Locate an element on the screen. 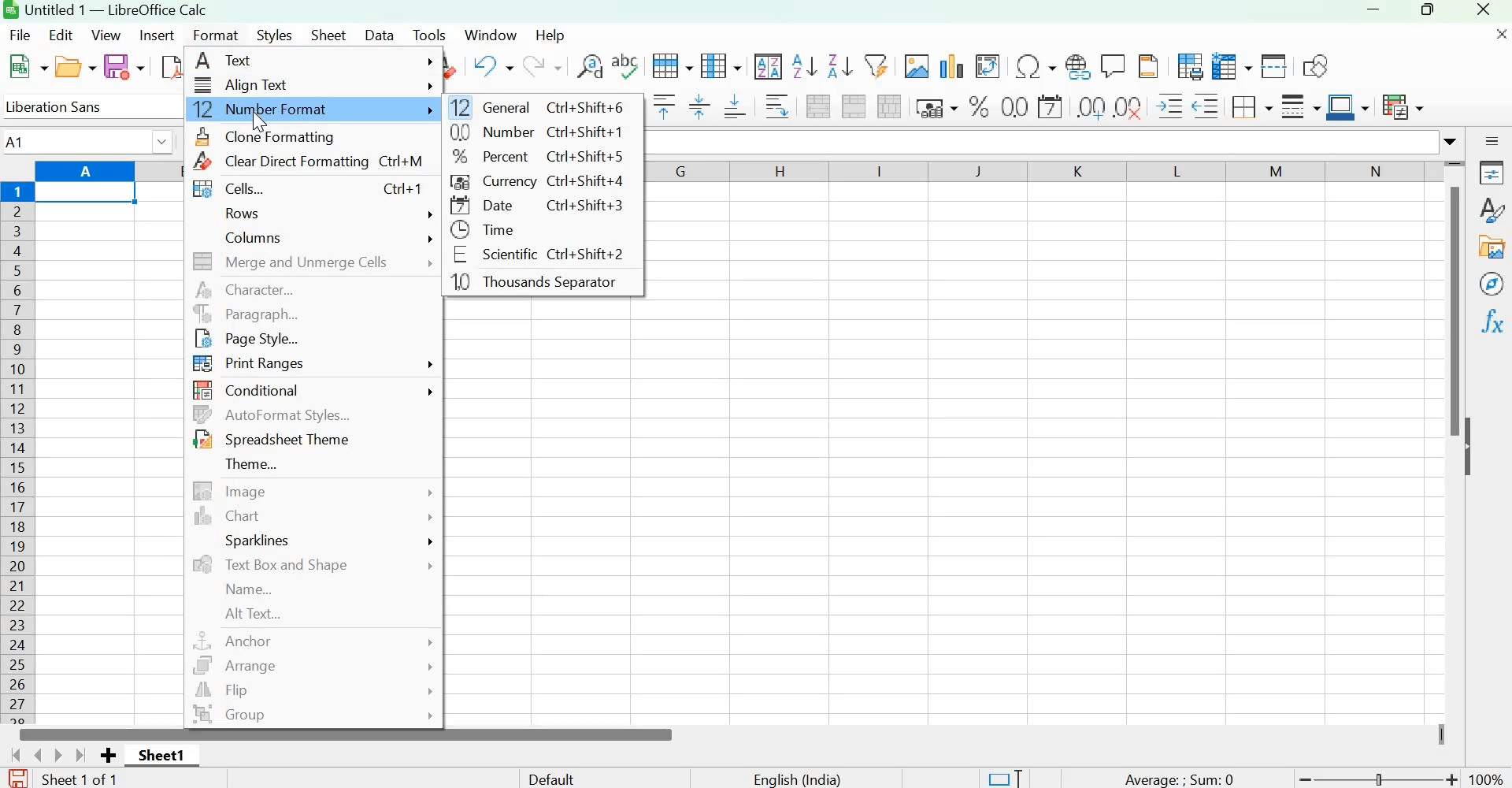 This screenshot has width=1512, height=788. The document has not been modified since the last save is located at coordinates (17, 777).